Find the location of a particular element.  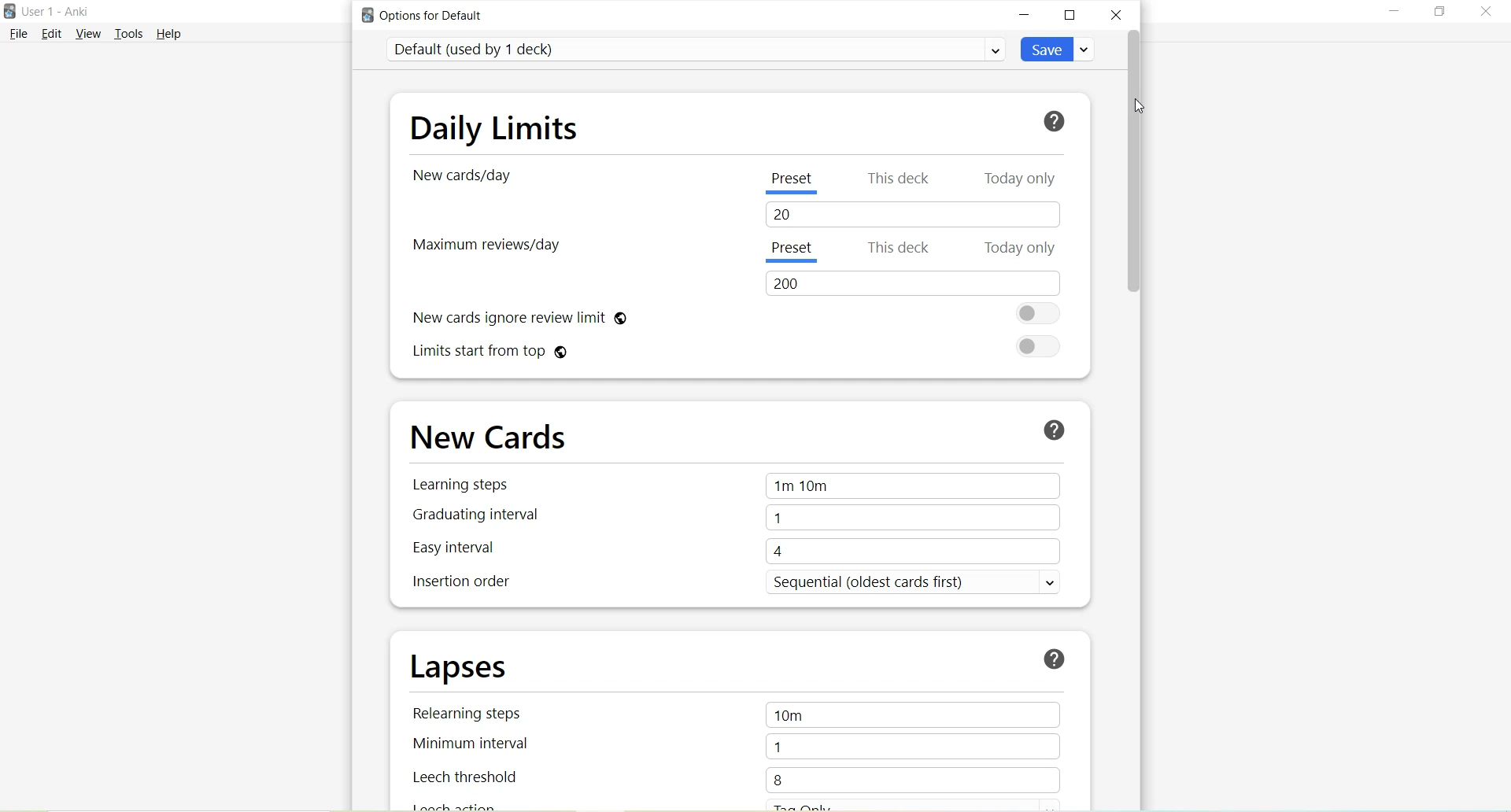

Save is located at coordinates (1058, 49).